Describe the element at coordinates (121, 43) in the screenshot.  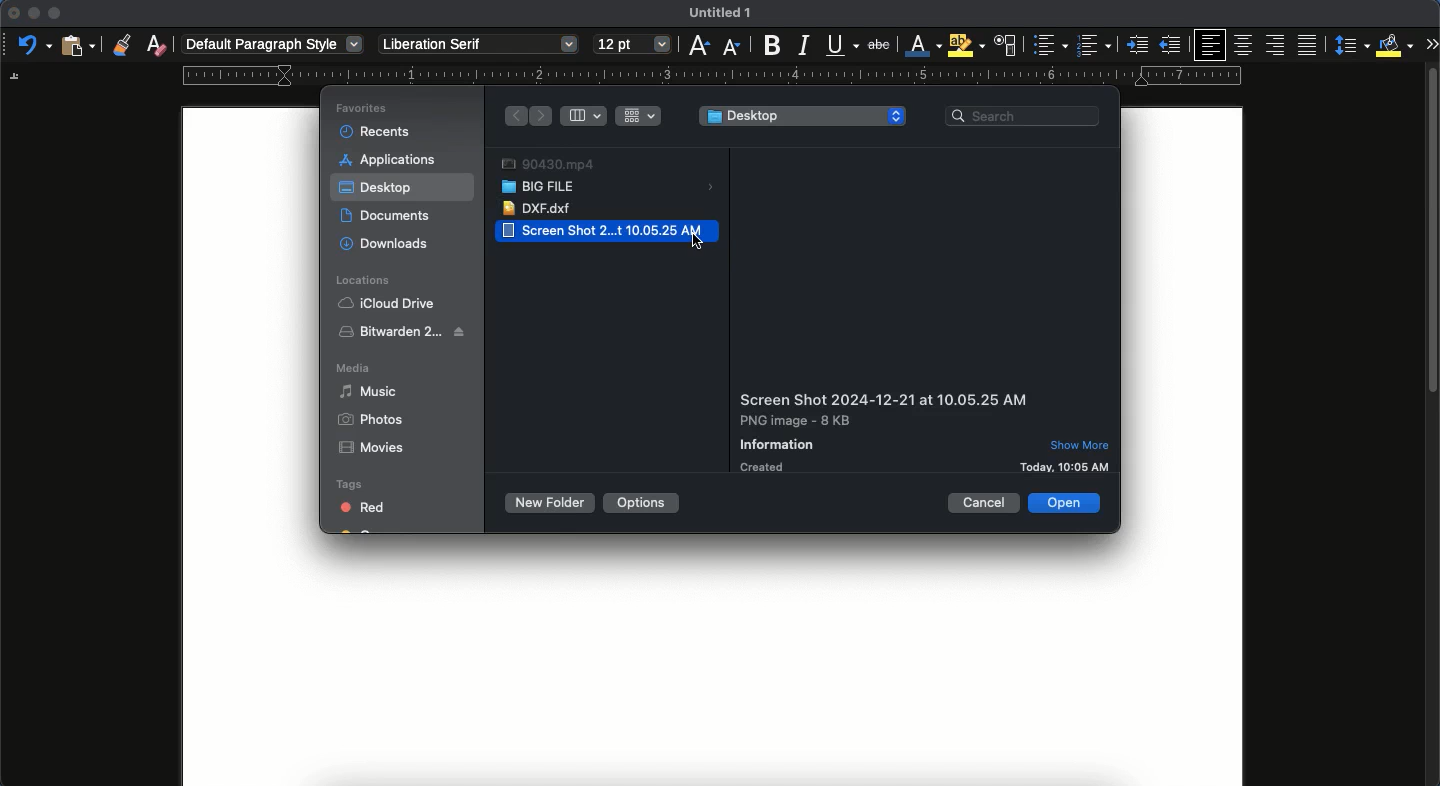
I see `clone formatting` at that location.